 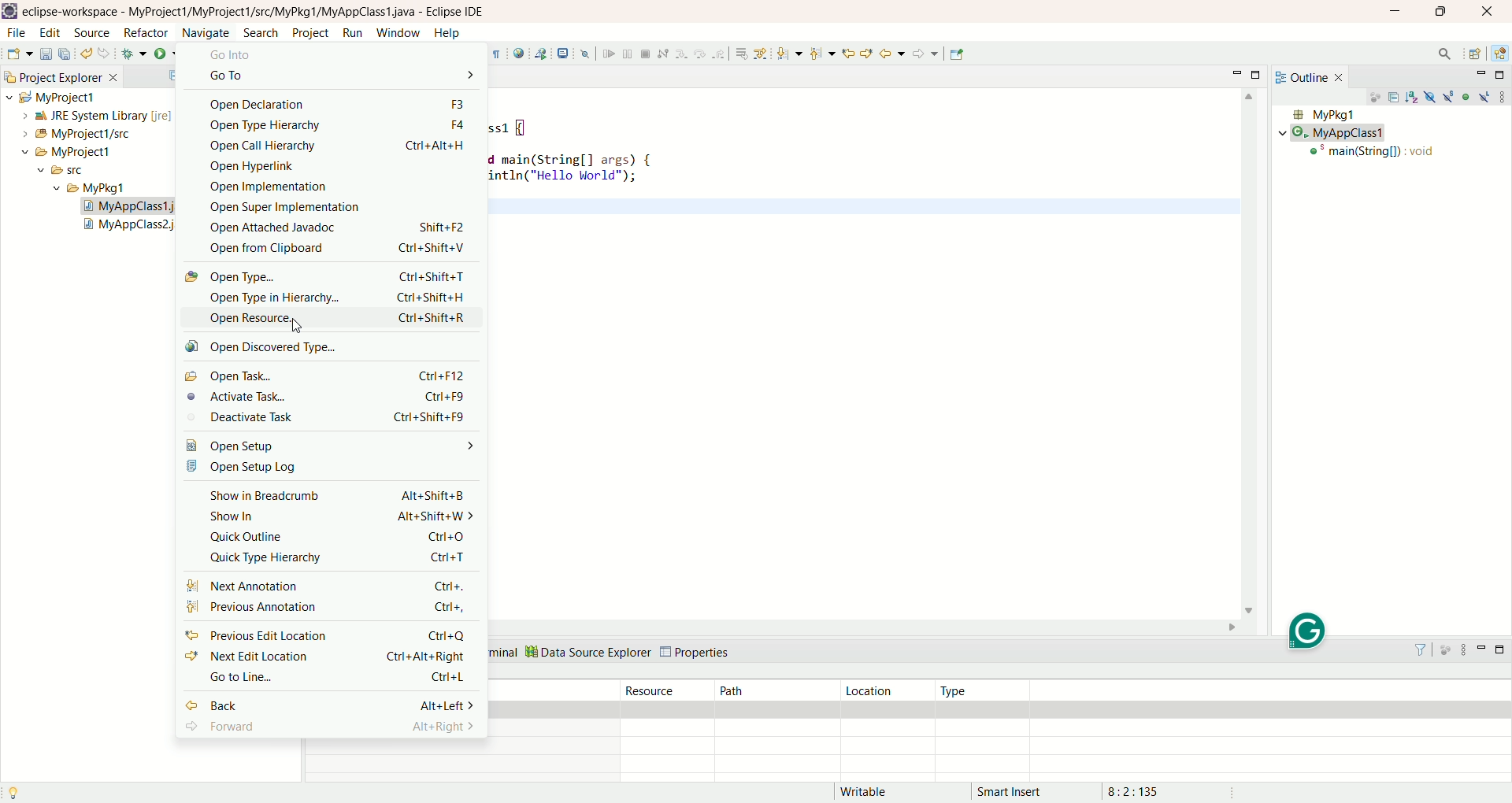 What do you see at coordinates (521, 126) in the screenshot?
I see `ss1 {` at bounding box center [521, 126].